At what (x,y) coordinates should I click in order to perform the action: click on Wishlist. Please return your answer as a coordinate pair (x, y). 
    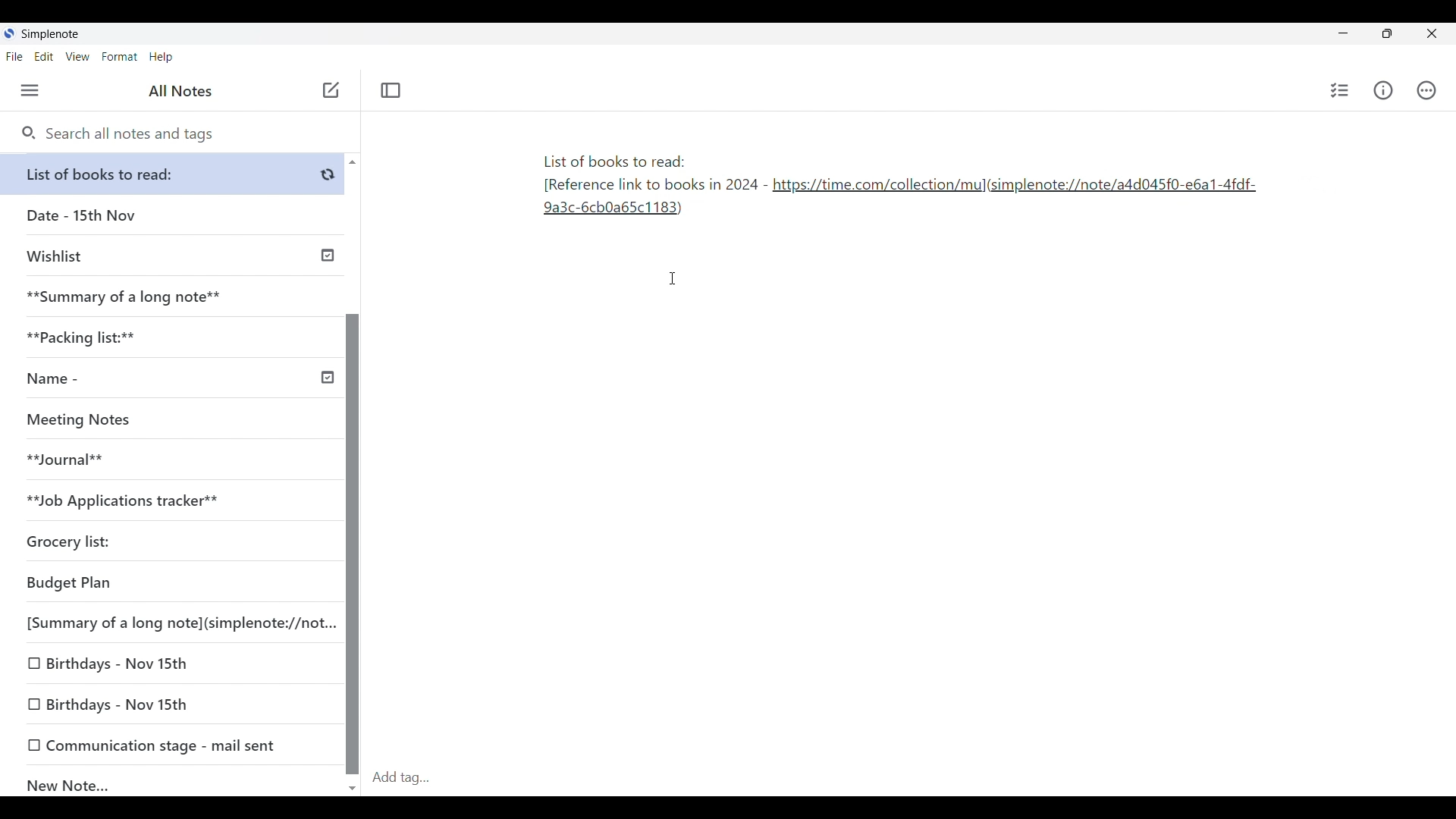
    Looking at the image, I should click on (176, 254).